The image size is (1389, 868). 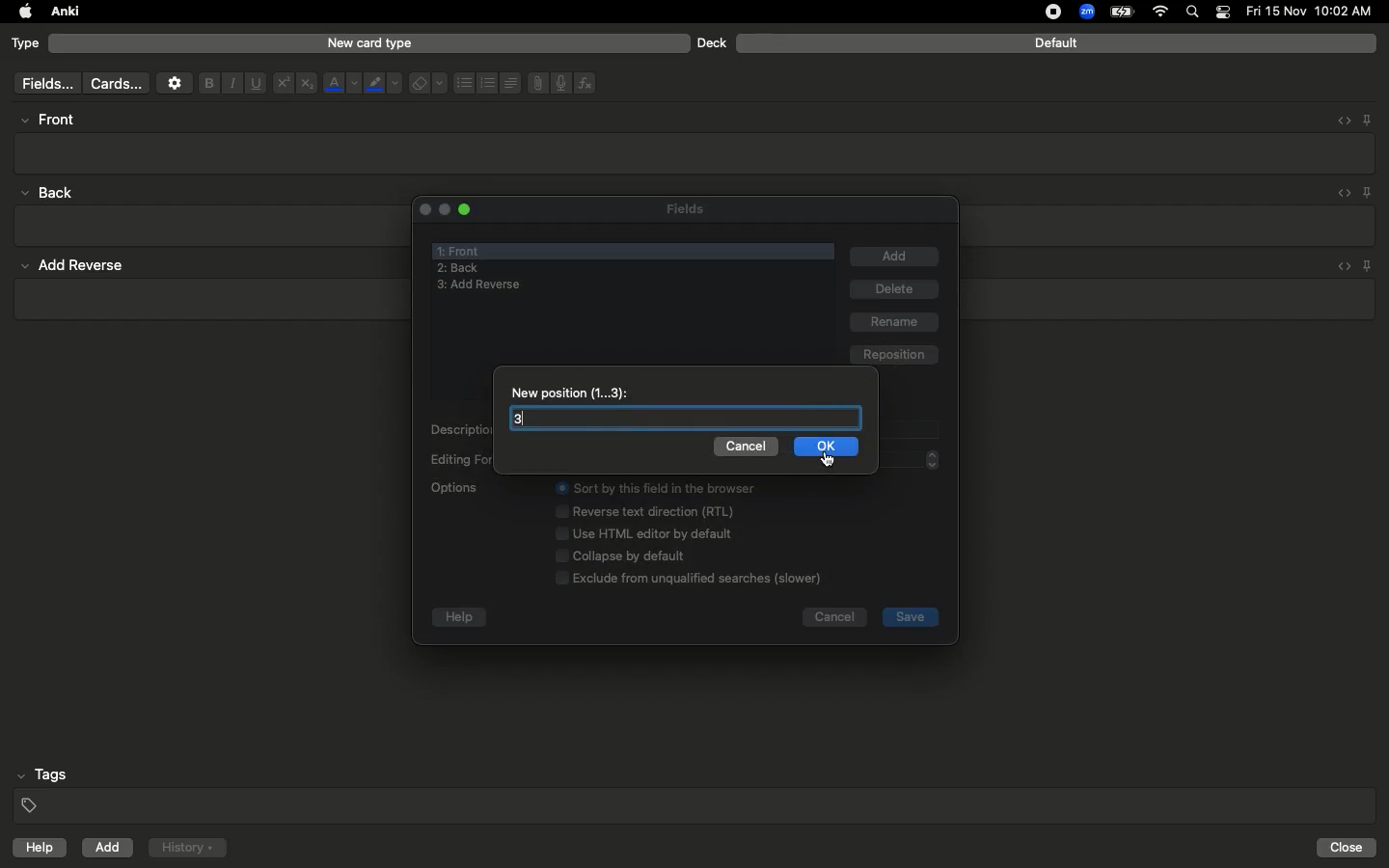 I want to click on Bold, so click(x=207, y=82).